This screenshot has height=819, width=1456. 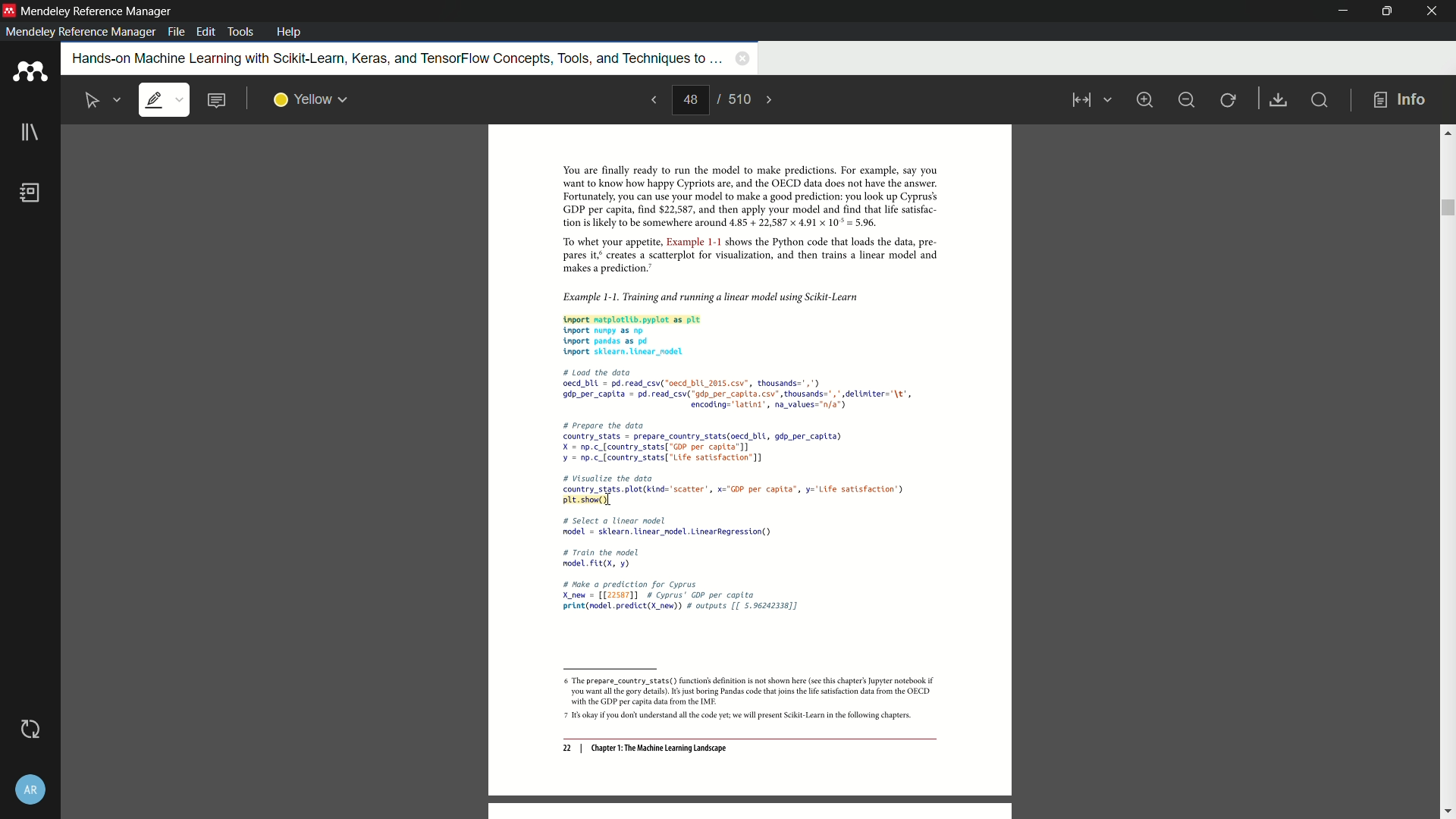 I want to click on info, so click(x=1400, y=101).